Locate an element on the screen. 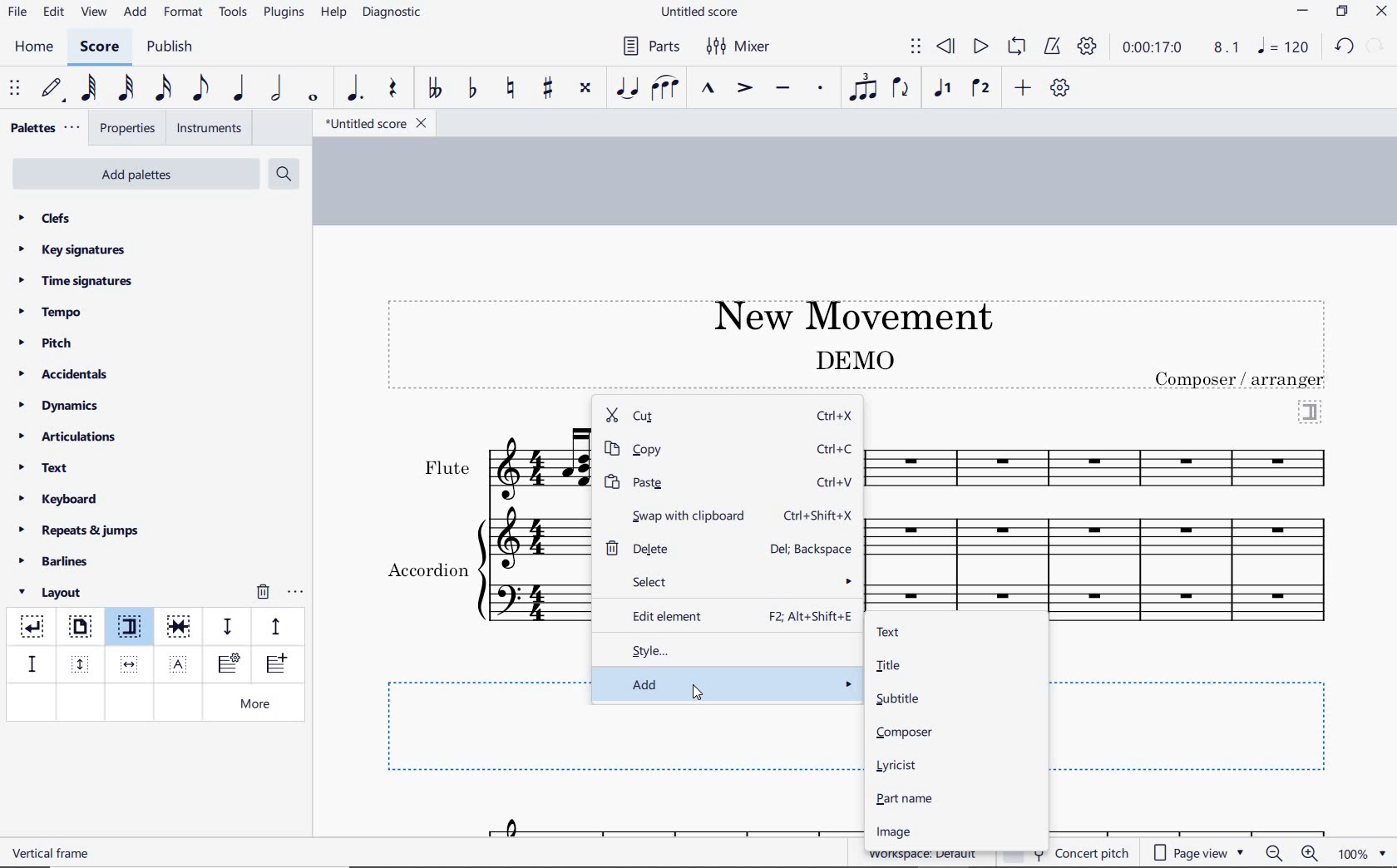 The height and width of the screenshot is (868, 1397). staff spacer sown is located at coordinates (227, 627).